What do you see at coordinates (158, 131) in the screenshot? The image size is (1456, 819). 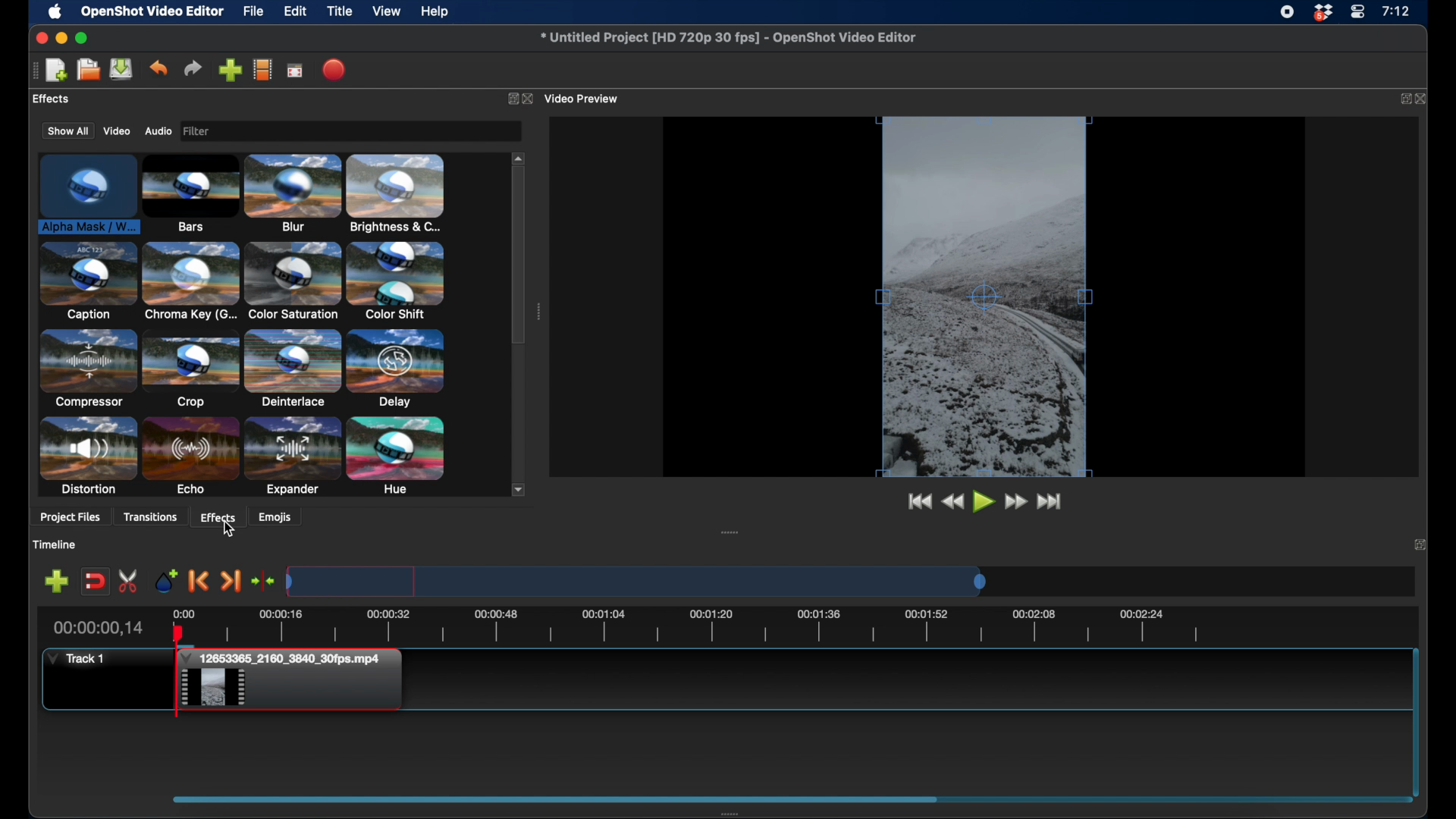 I see `audio` at bounding box center [158, 131].